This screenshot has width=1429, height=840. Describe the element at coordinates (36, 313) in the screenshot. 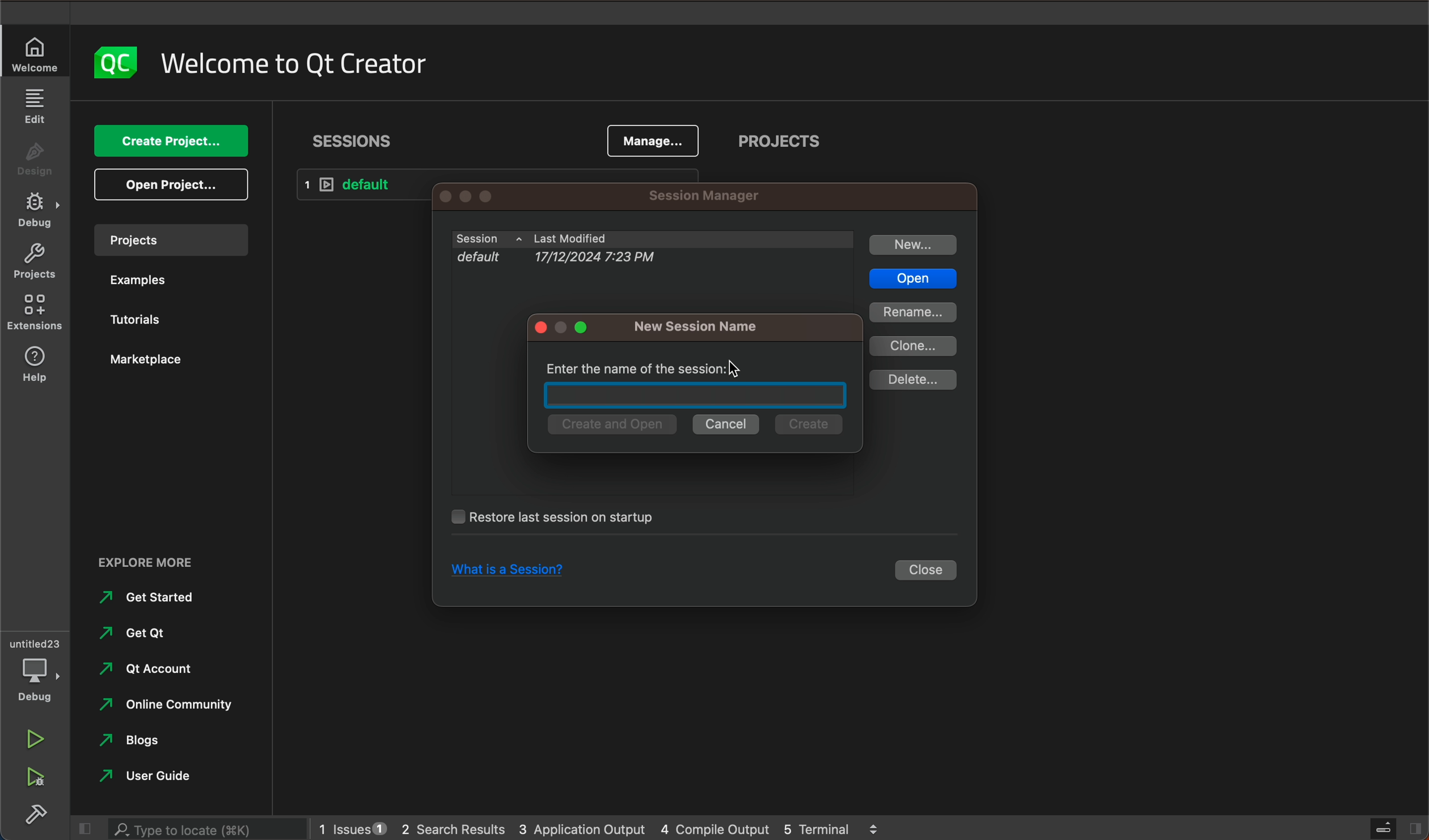

I see `Extensions` at that location.